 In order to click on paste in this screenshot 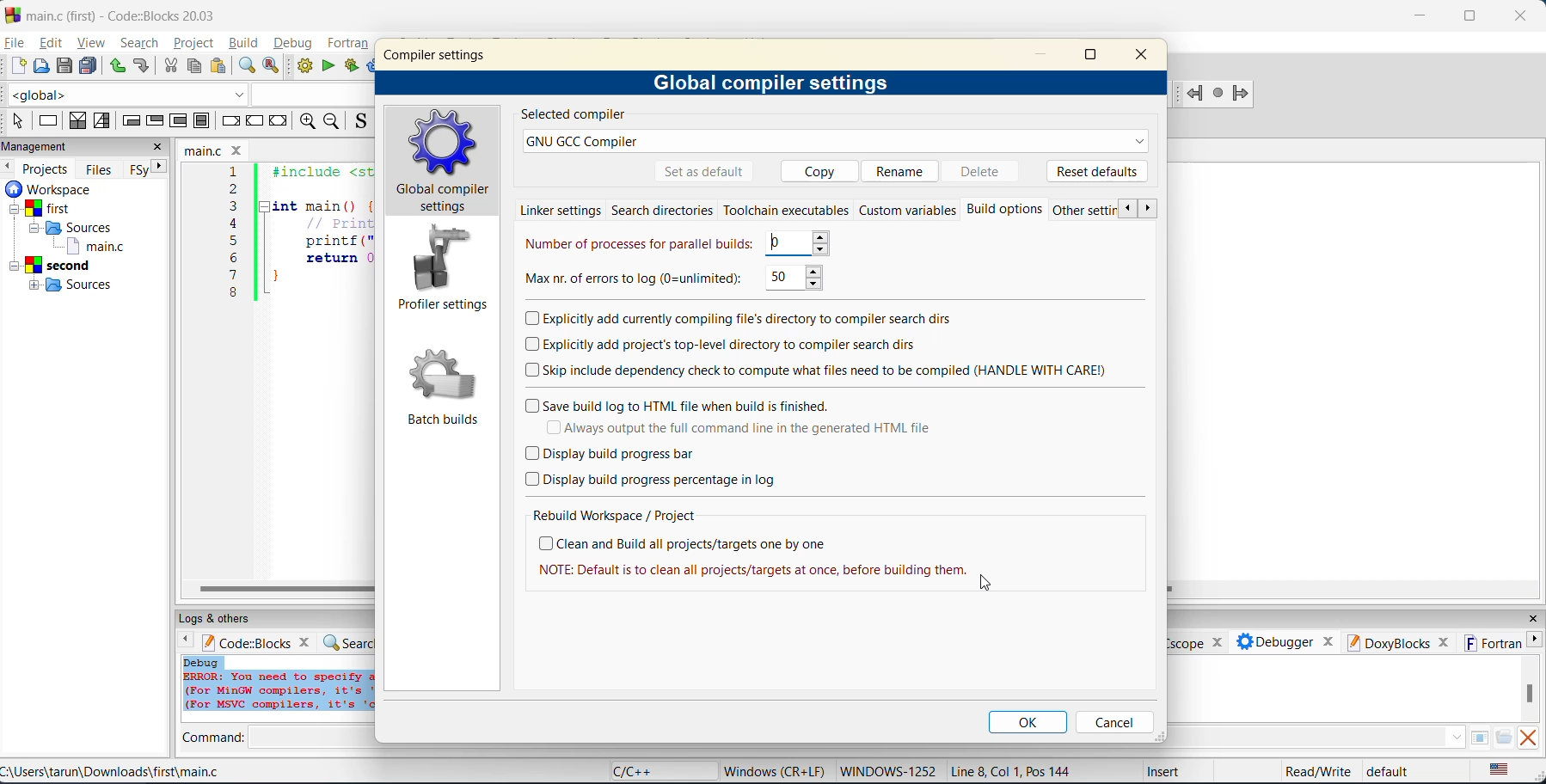, I will do `click(220, 67)`.